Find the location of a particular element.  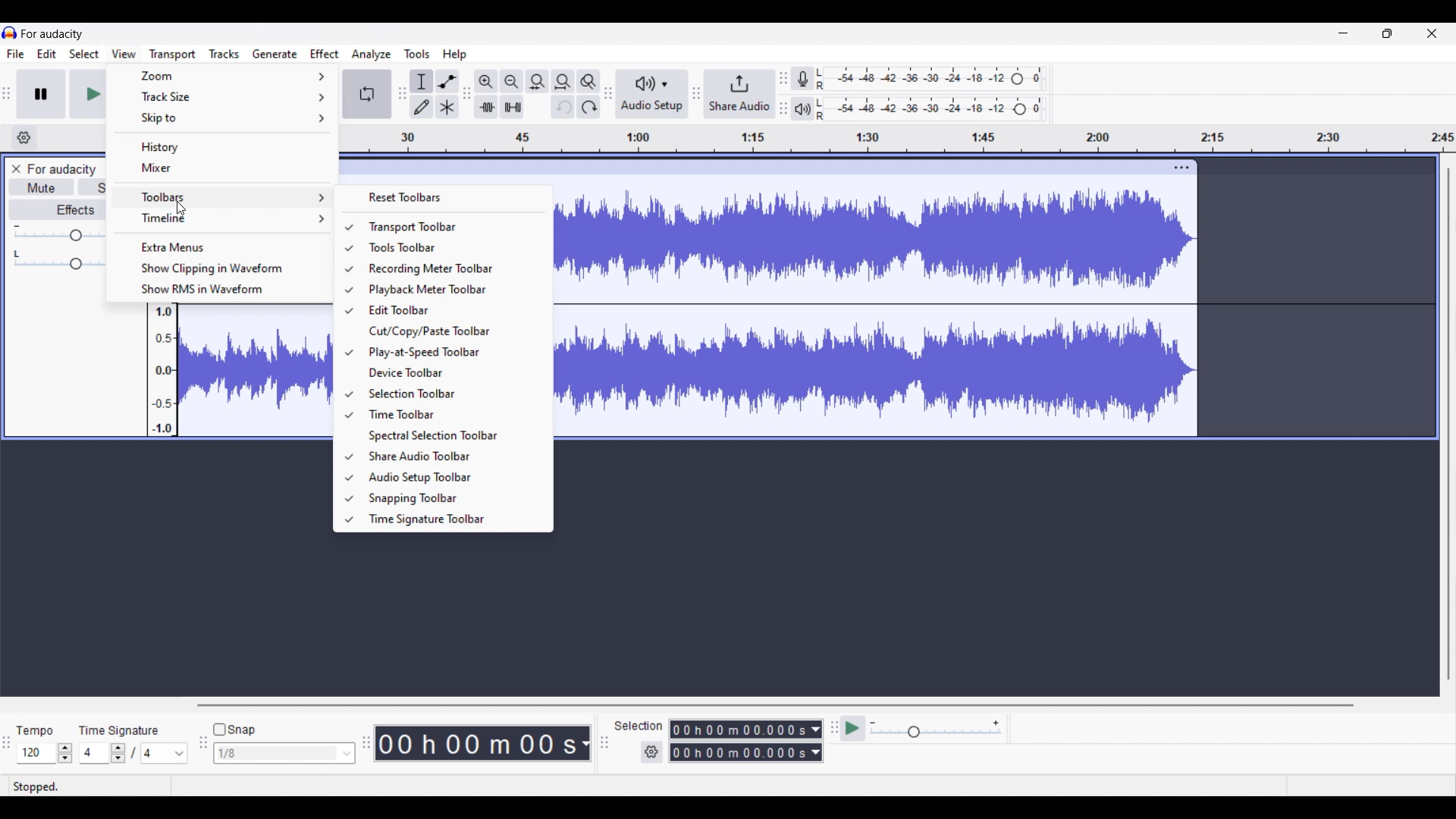

Snapping toolbar is located at coordinates (453, 498).